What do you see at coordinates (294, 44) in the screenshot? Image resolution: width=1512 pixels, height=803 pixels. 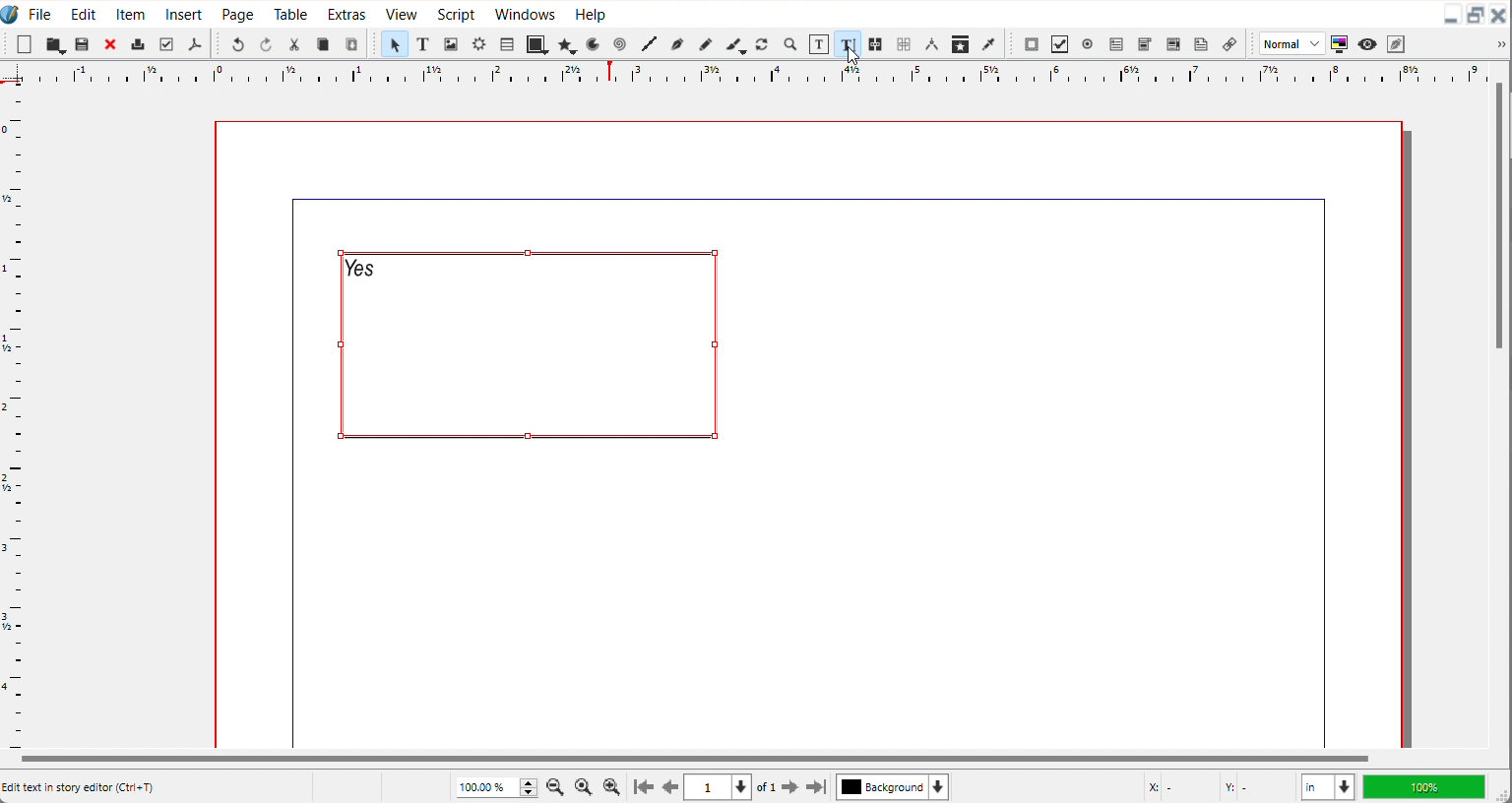 I see `Cut` at bounding box center [294, 44].